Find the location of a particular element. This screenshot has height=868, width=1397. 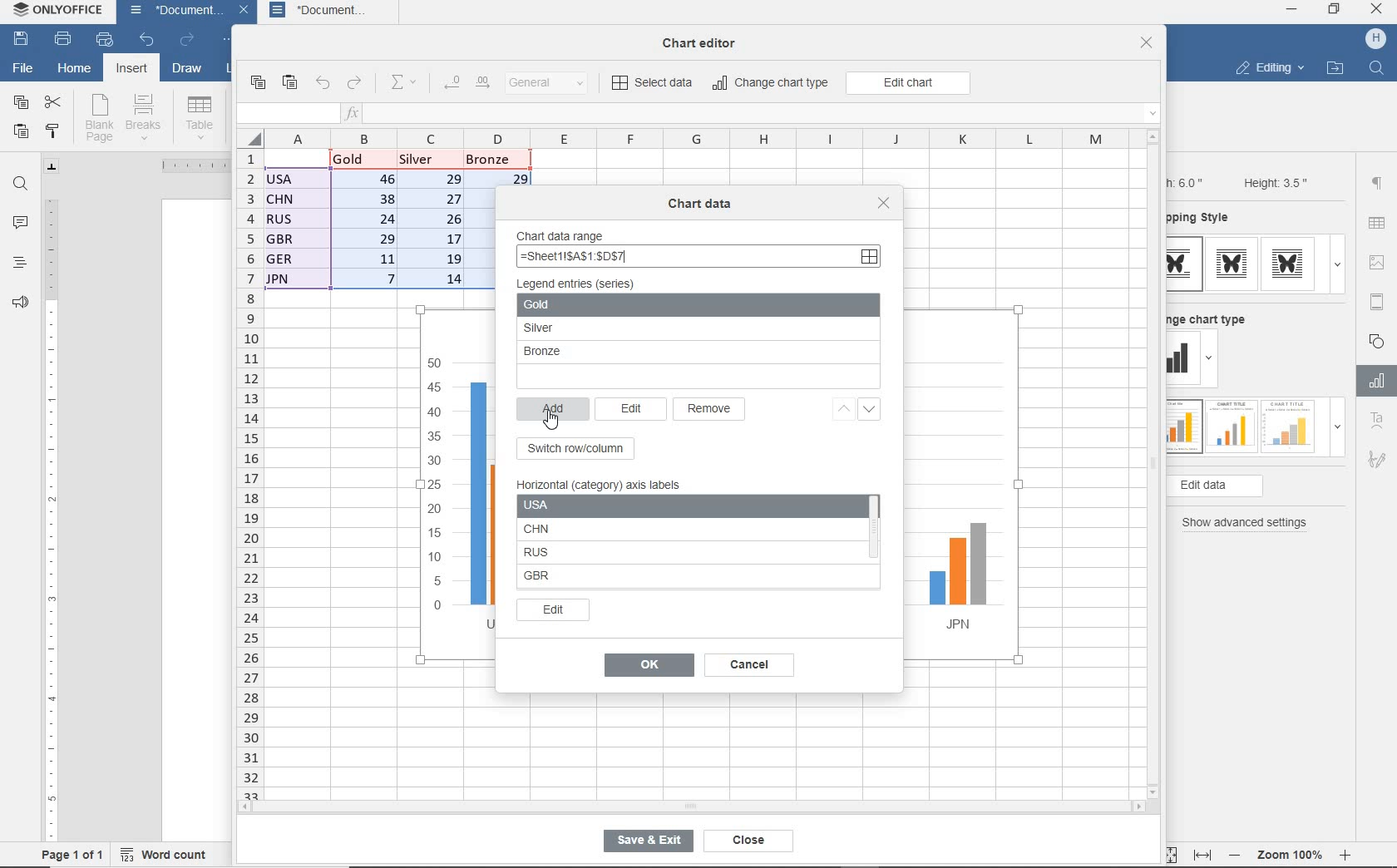

close is located at coordinates (753, 841).